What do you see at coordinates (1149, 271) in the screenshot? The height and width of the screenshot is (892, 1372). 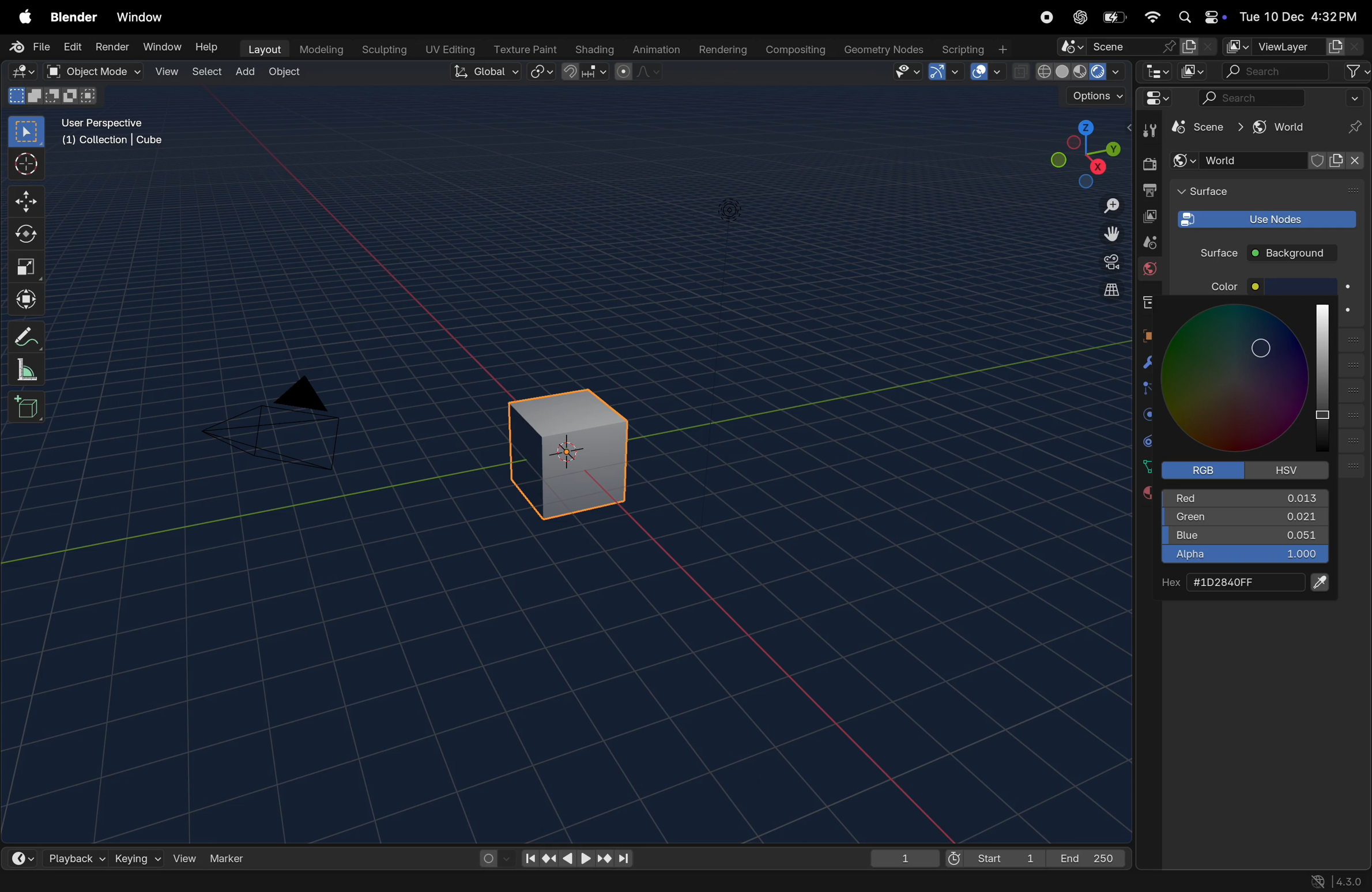 I see `World` at bounding box center [1149, 271].